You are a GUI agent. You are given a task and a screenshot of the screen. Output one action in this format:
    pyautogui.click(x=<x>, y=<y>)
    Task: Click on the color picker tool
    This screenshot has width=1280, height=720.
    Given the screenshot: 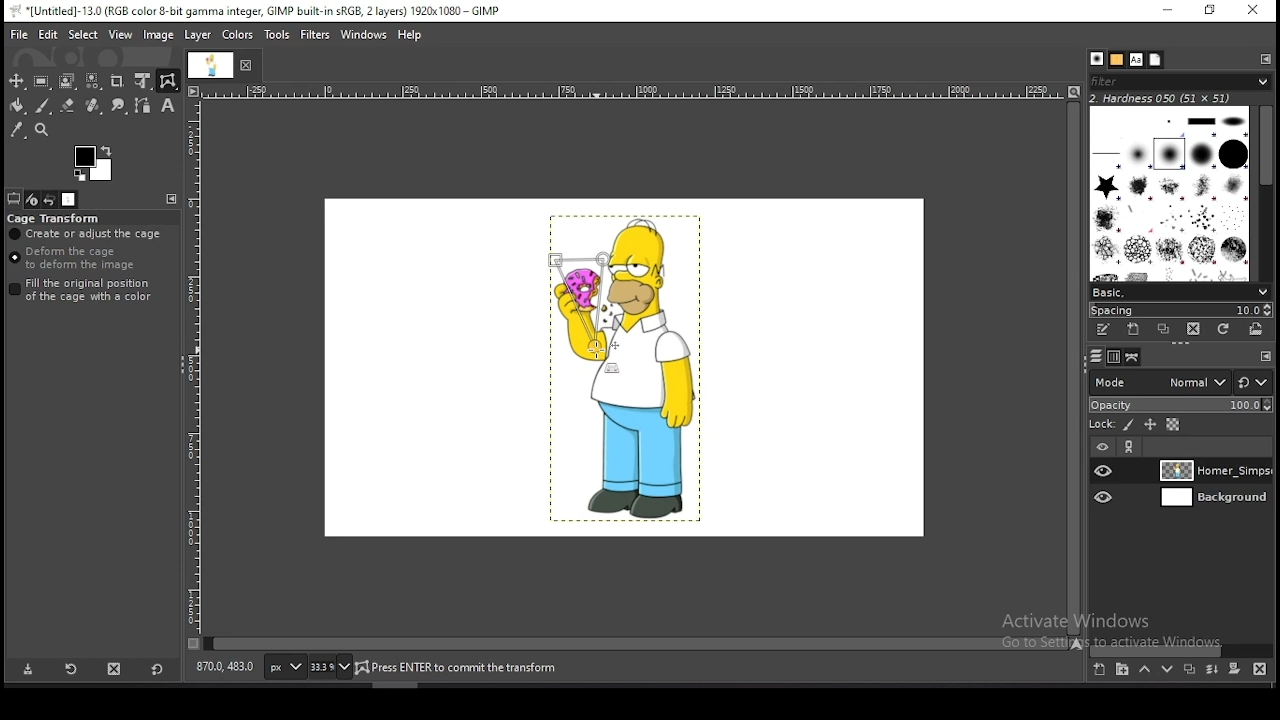 What is the action you would take?
    pyautogui.click(x=17, y=129)
    